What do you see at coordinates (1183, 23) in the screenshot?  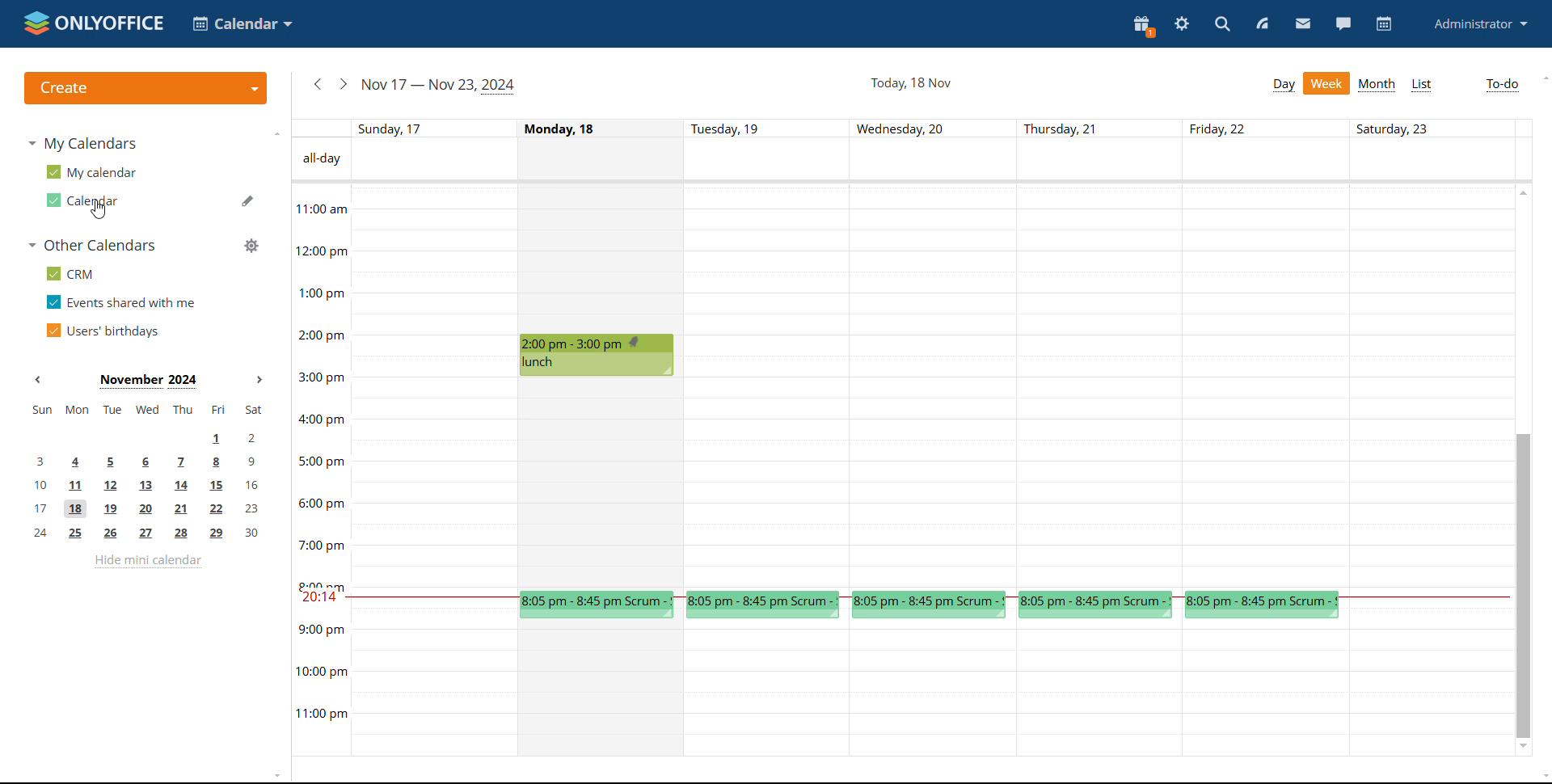 I see `settings` at bounding box center [1183, 23].